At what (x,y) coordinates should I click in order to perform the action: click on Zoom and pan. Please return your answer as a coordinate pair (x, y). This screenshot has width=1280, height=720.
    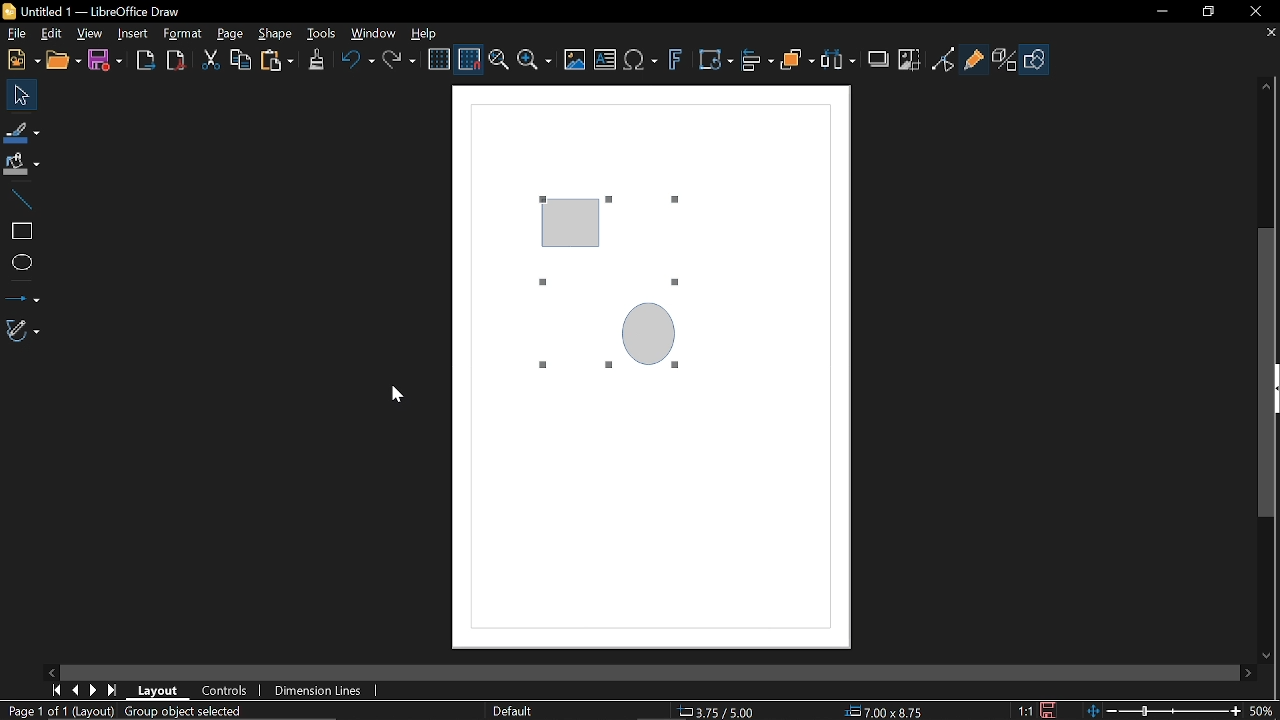
    Looking at the image, I should click on (498, 60).